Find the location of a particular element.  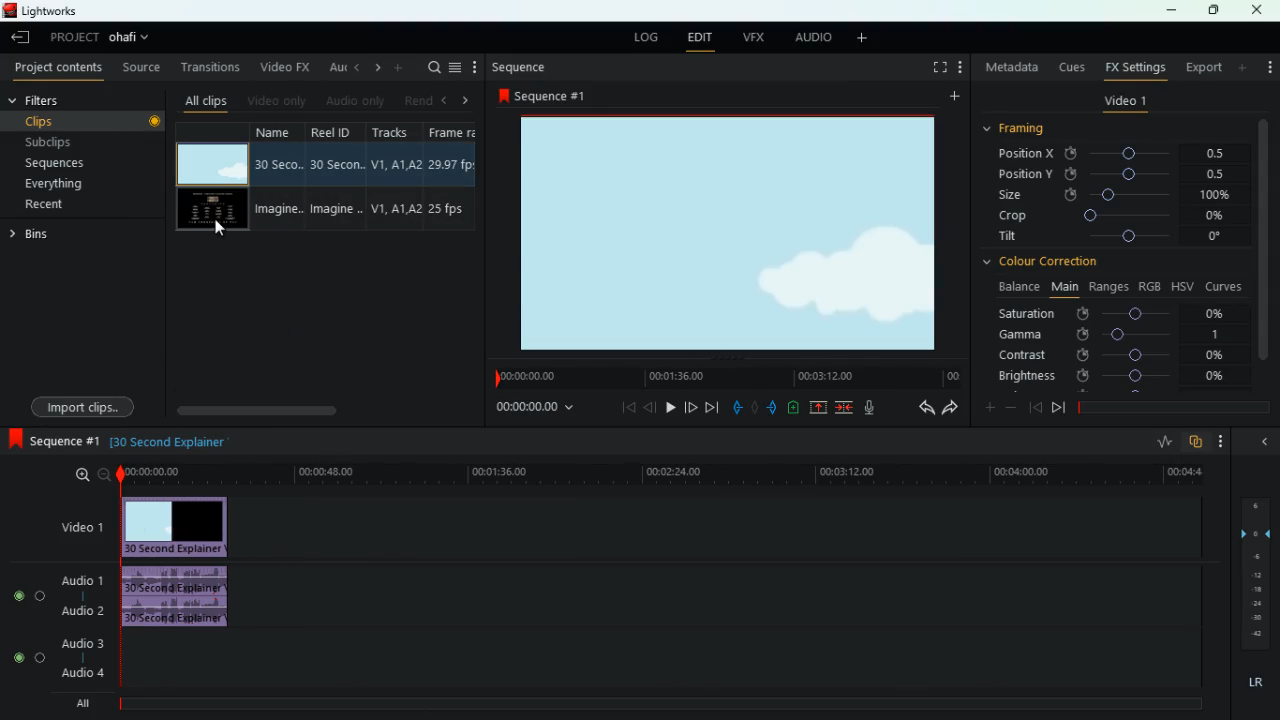

more is located at coordinates (1226, 441).